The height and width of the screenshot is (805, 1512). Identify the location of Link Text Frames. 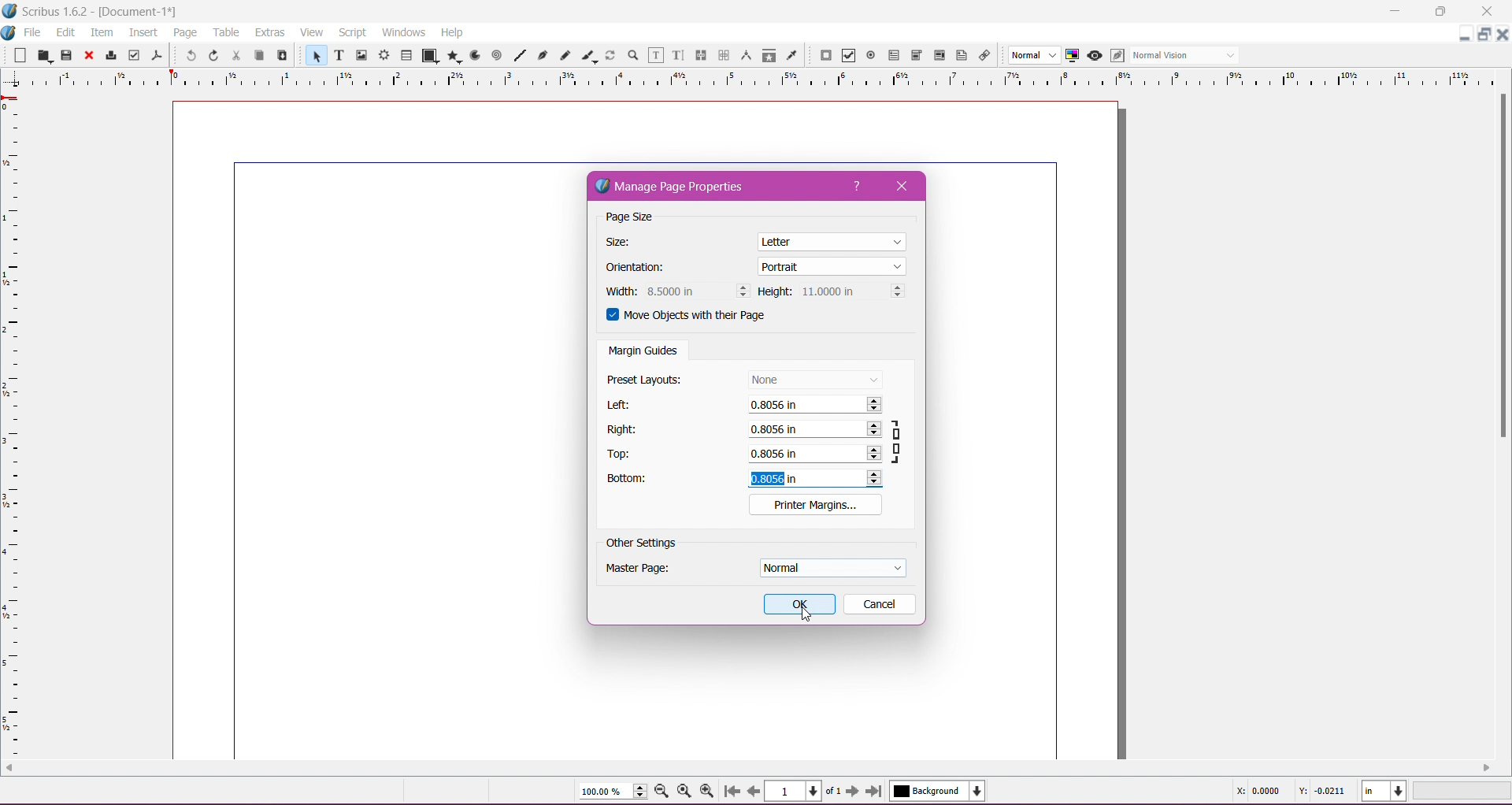
(699, 55).